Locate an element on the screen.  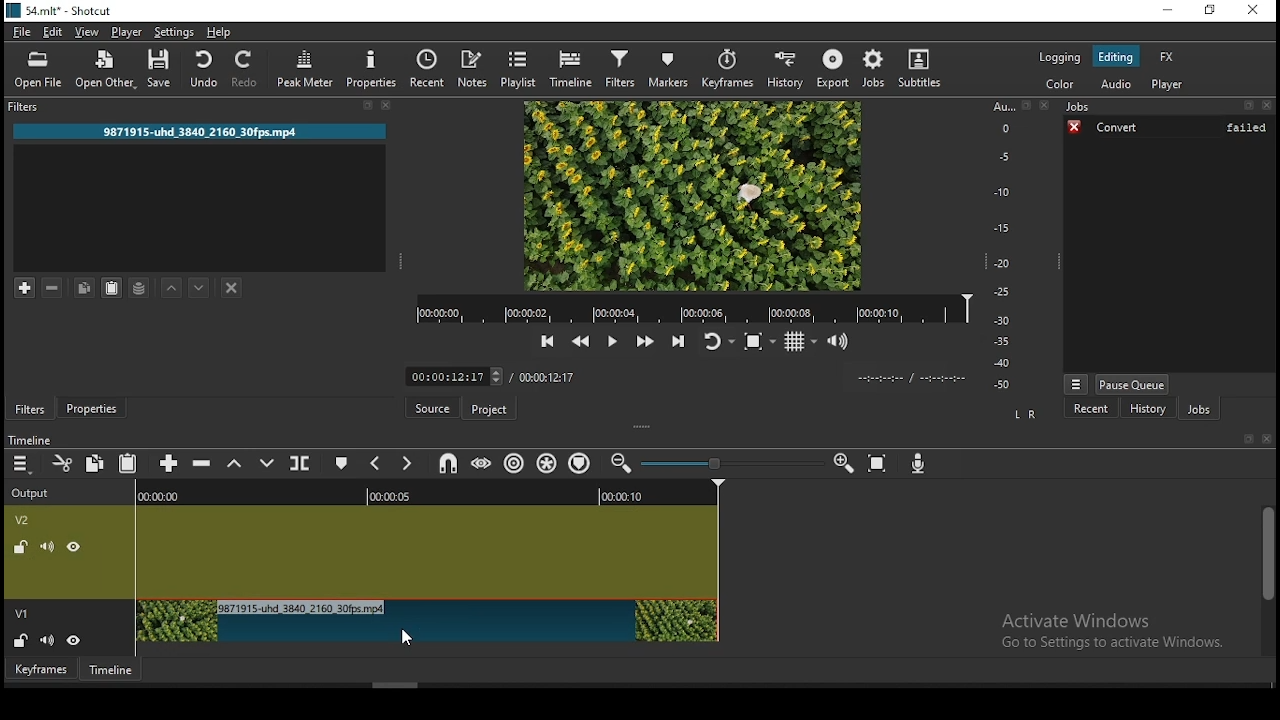
recent is located at coordinates (430, 69).